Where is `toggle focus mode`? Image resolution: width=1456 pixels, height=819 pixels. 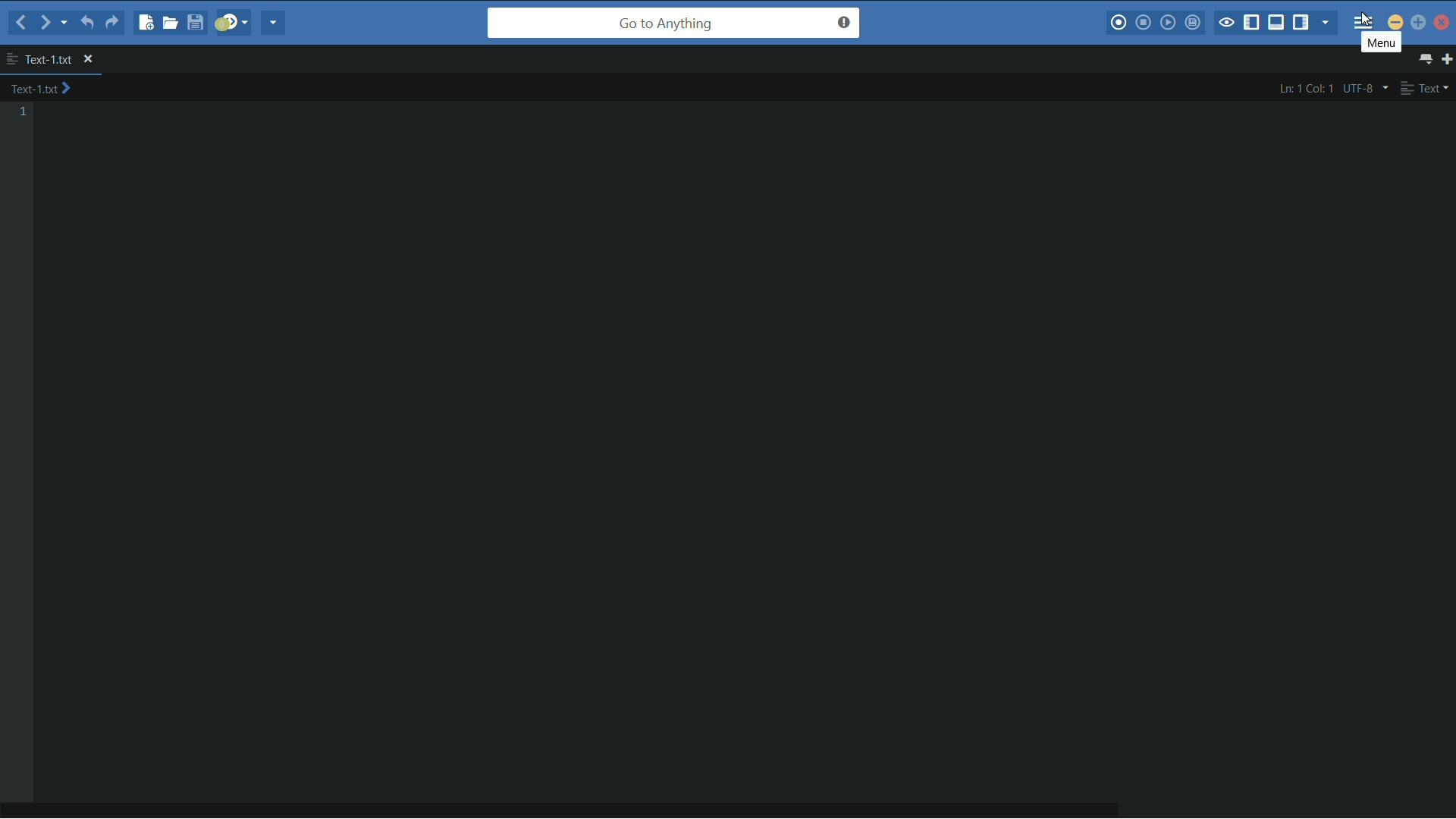
toggle focus mode is located at coordinates (1226, 24).